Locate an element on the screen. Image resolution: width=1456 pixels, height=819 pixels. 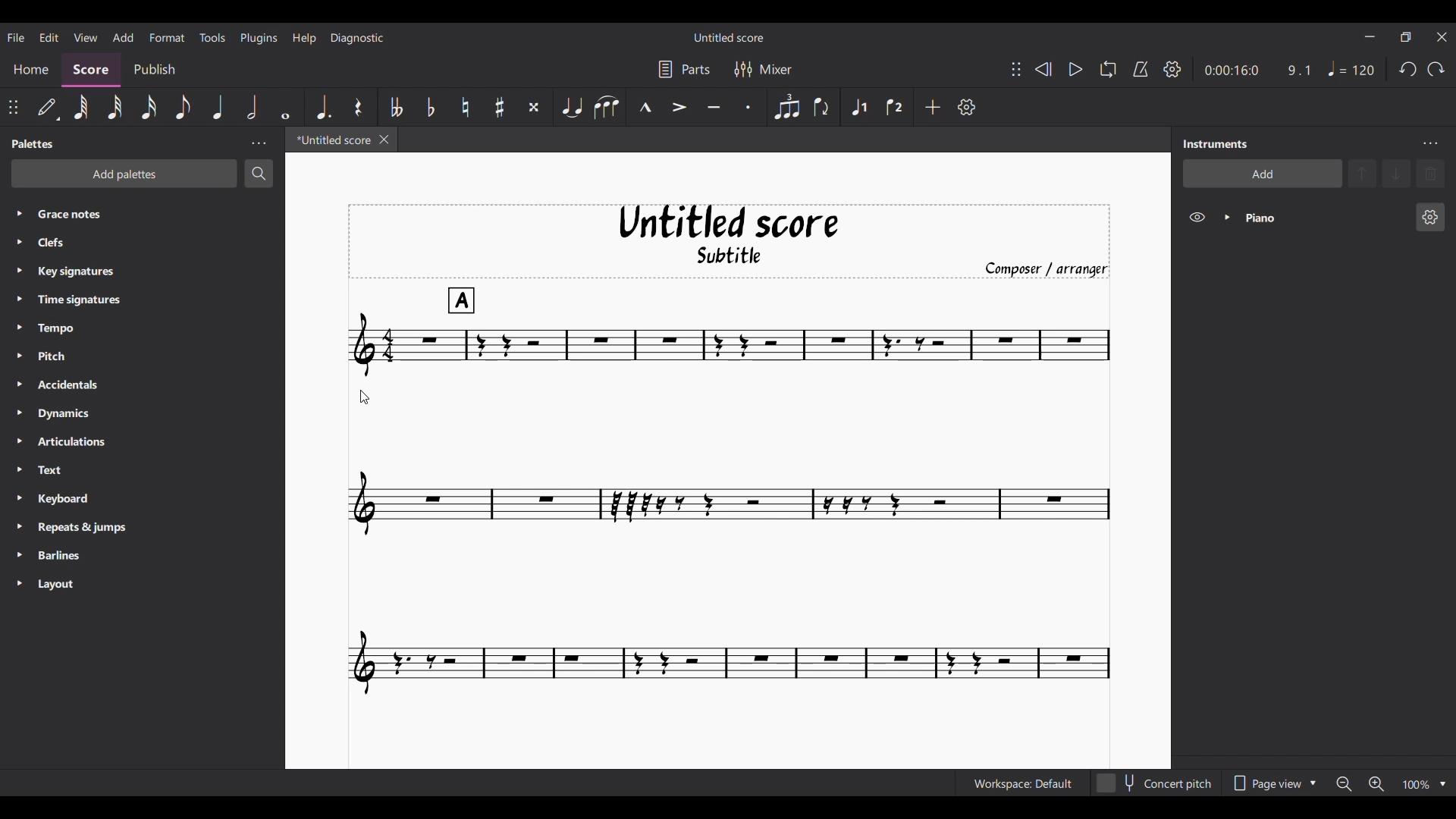
Expand instrument is located at coordinates (1227, 218).